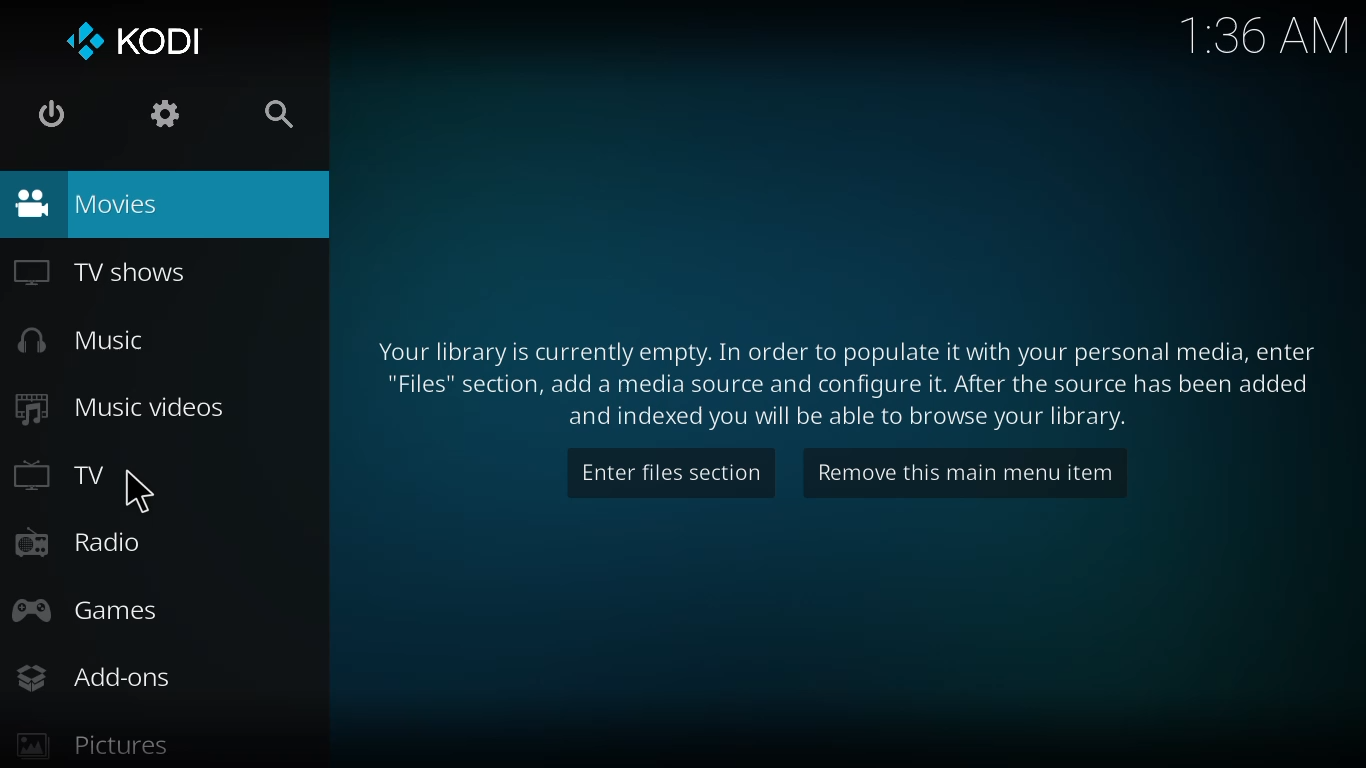 Image resolution: width=1366 pixels, height=768 pixels. Describe the element at coordinates (92, 675) in the screenshot. I see `add-ons` at that location.